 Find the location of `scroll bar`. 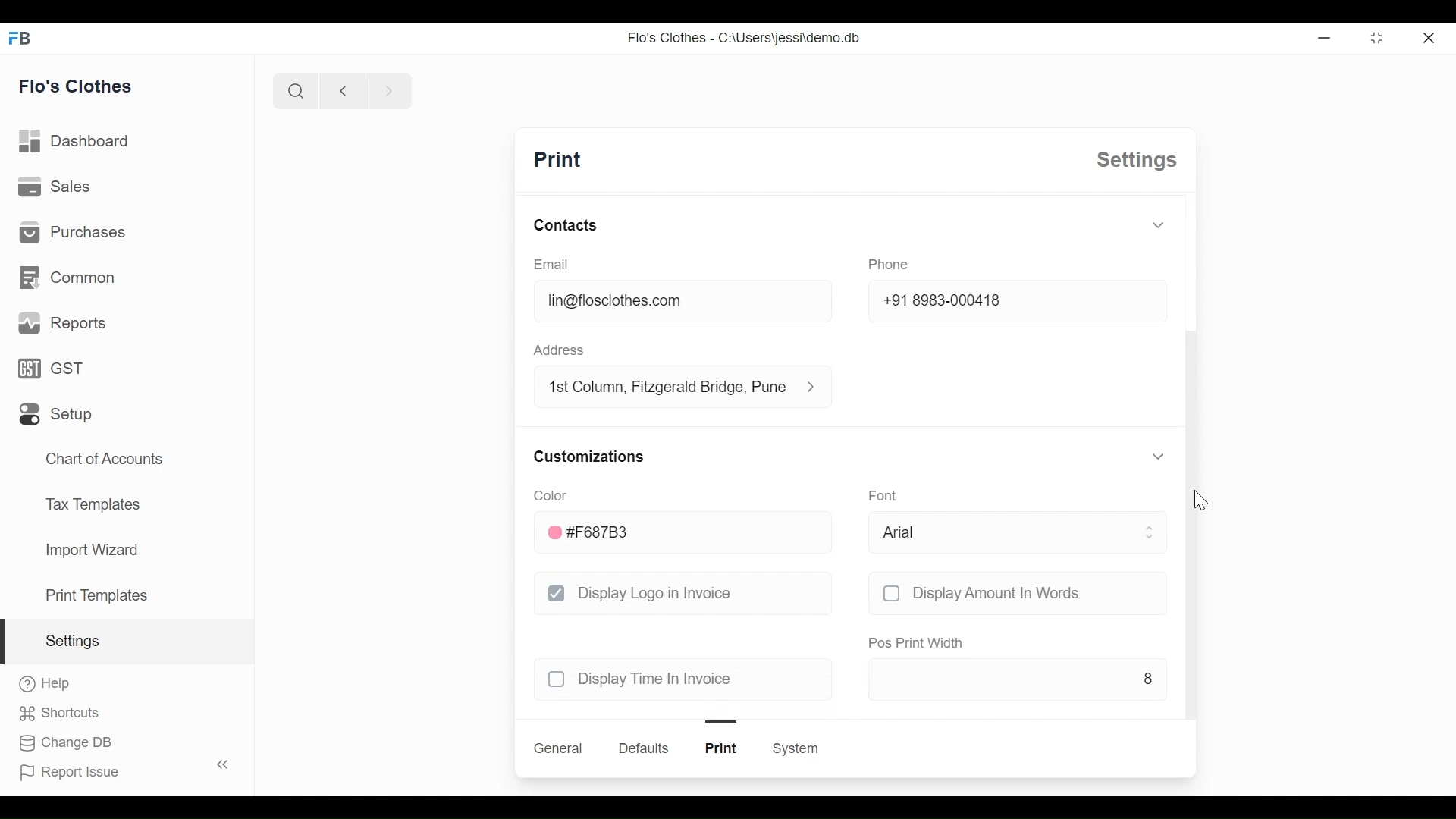

scroll bar is located at coordinates (1192, 525).